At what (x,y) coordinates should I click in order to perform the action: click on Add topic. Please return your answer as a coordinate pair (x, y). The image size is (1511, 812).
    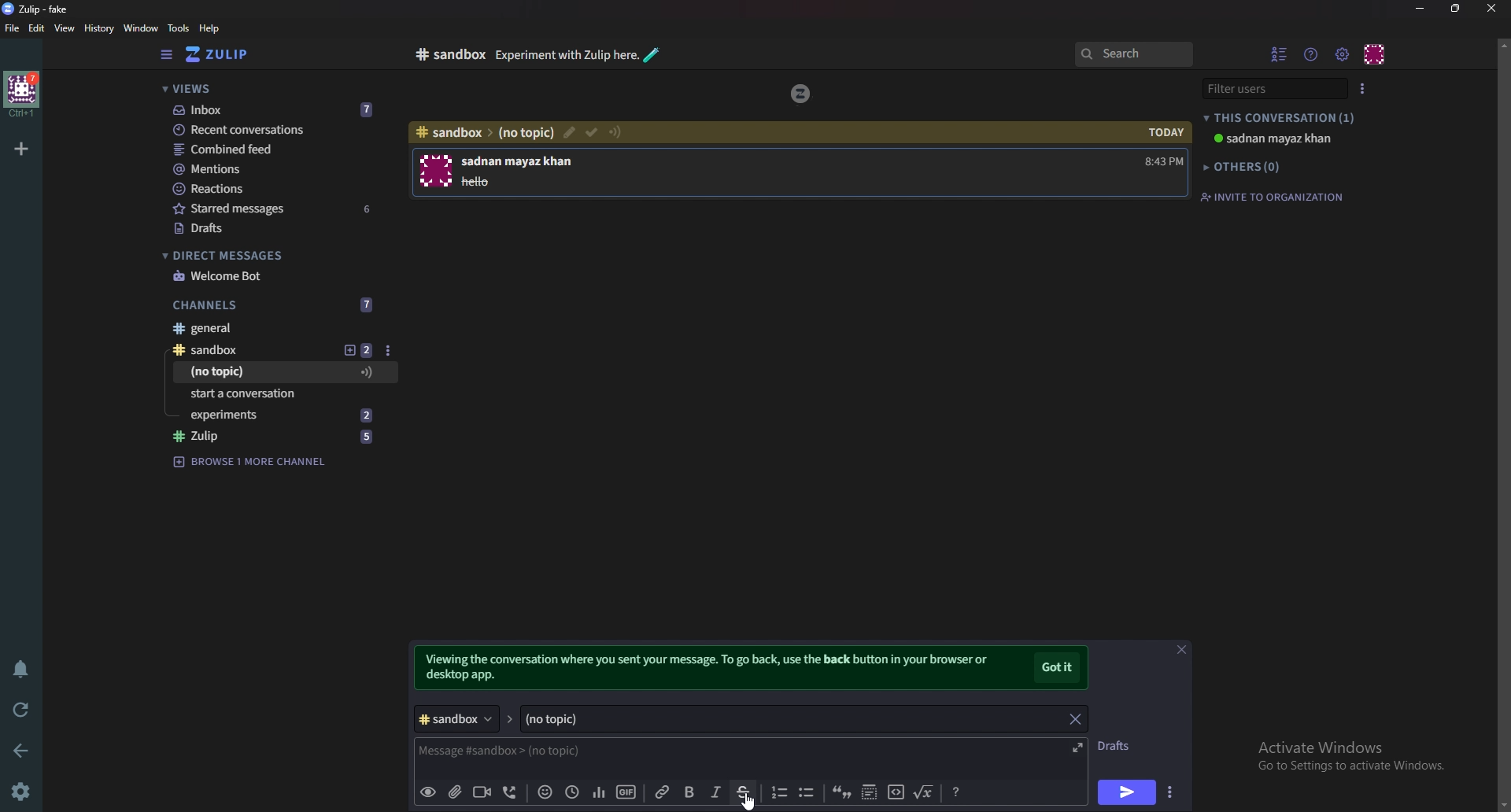
    Looking at the image, I should click on (359, 349).